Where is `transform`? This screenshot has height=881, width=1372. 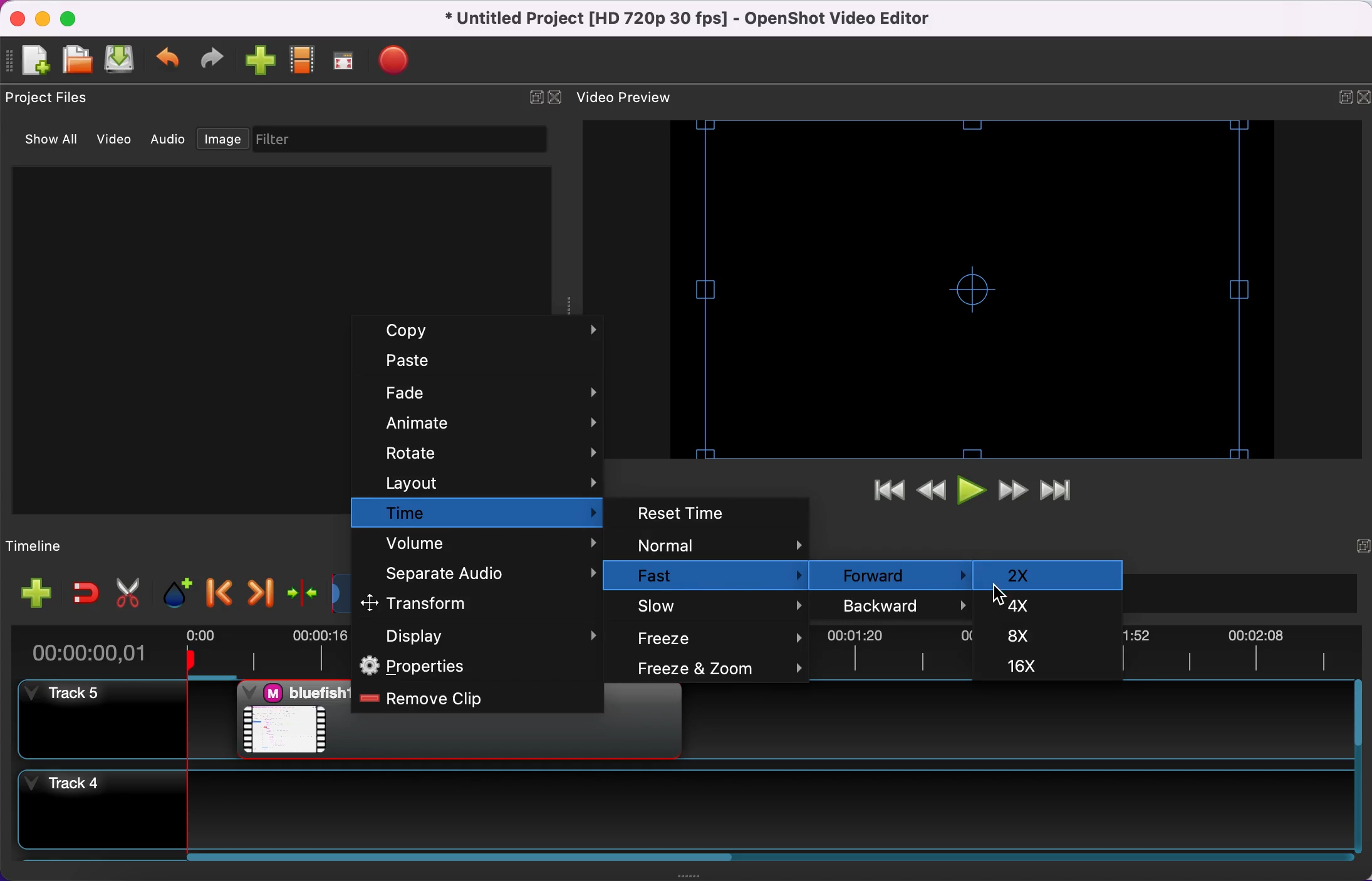
transform is located at coordinates (469, 603).